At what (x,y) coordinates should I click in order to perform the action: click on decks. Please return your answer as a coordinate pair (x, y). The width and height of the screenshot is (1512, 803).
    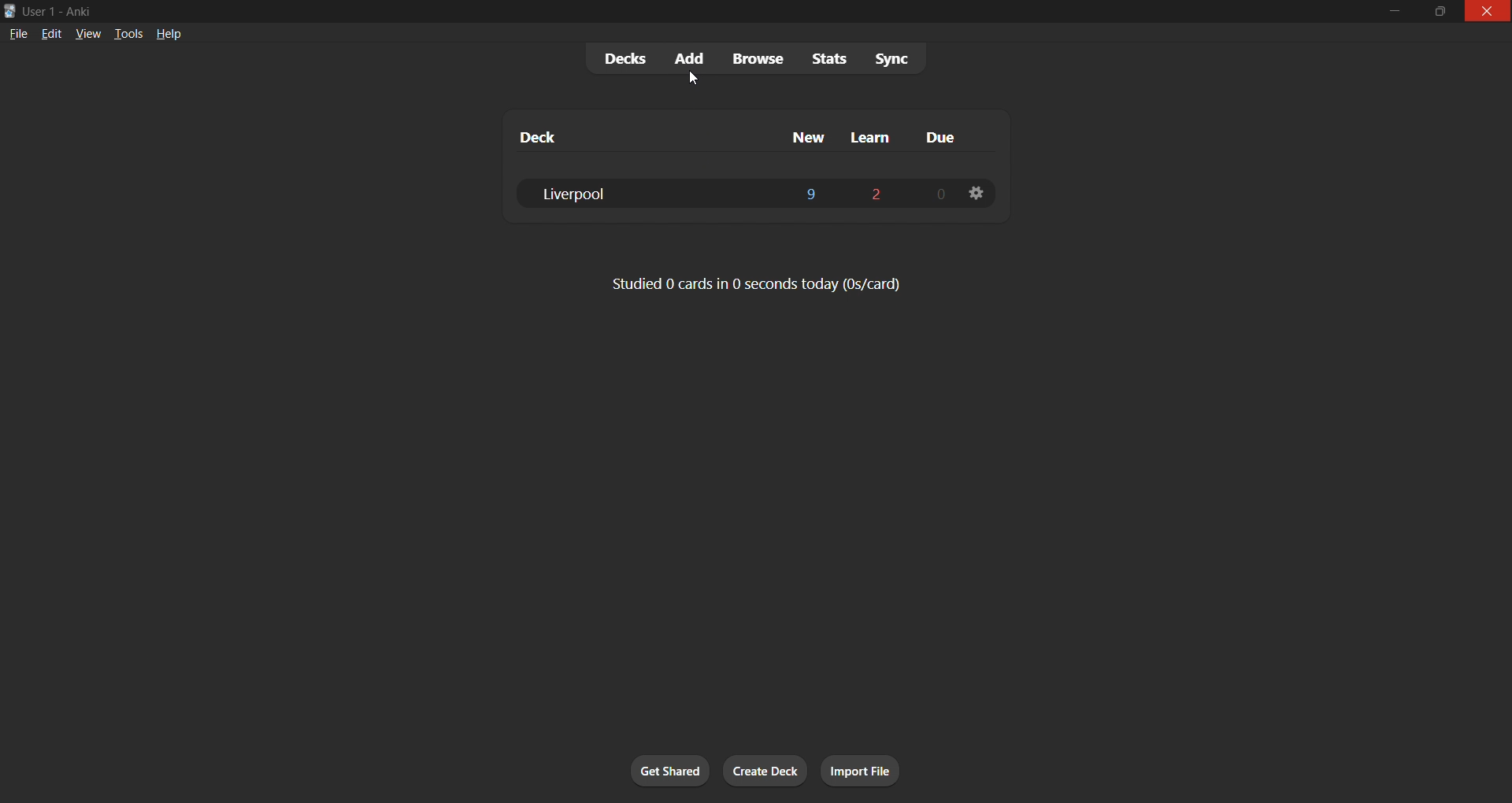
    Looking at the image, I should click on (621, 59).